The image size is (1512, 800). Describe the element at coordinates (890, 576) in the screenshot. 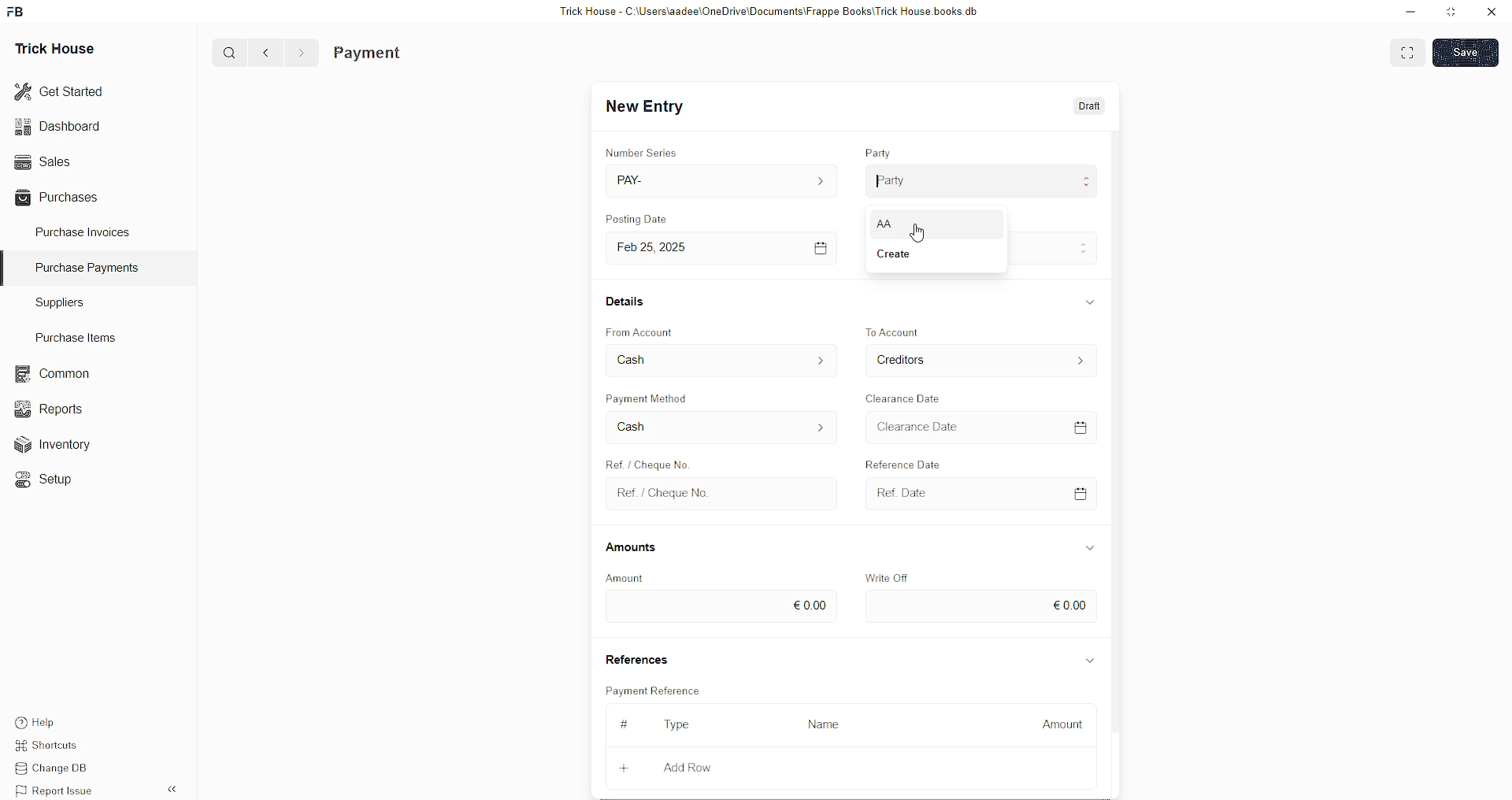

I see `Write Off` at that location.